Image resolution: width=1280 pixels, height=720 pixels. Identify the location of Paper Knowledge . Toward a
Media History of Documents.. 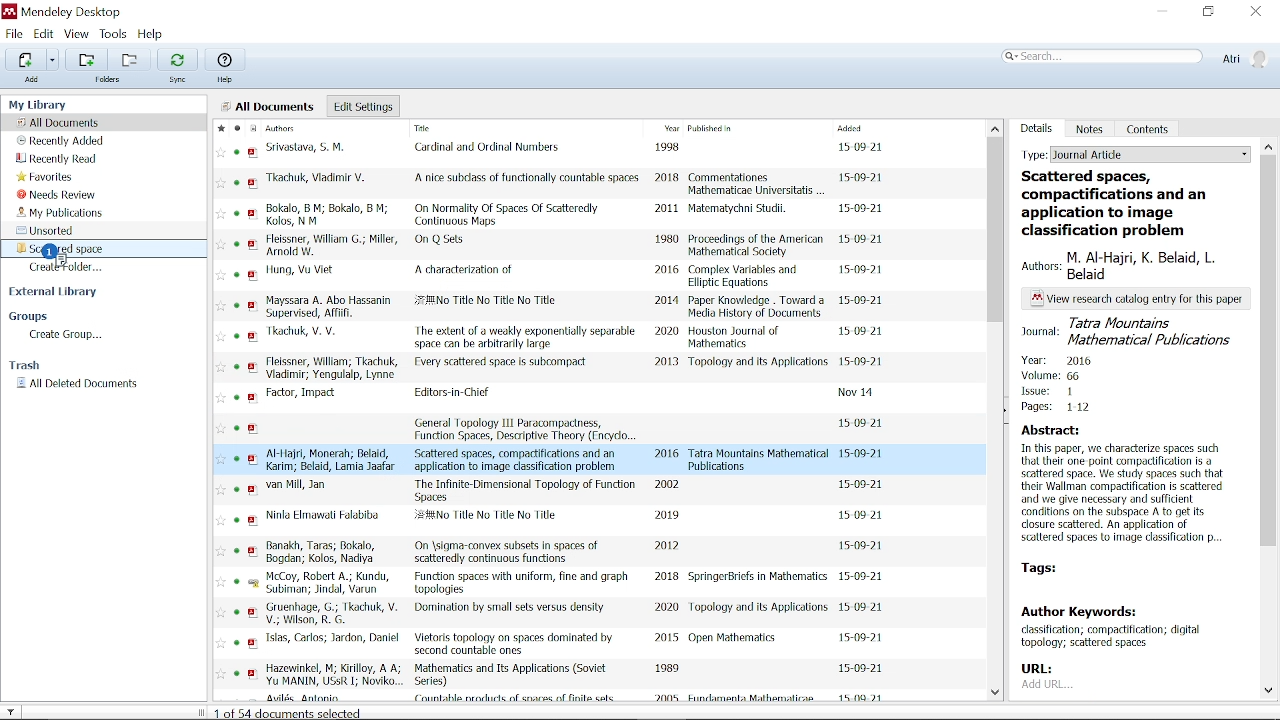
(758, 307).